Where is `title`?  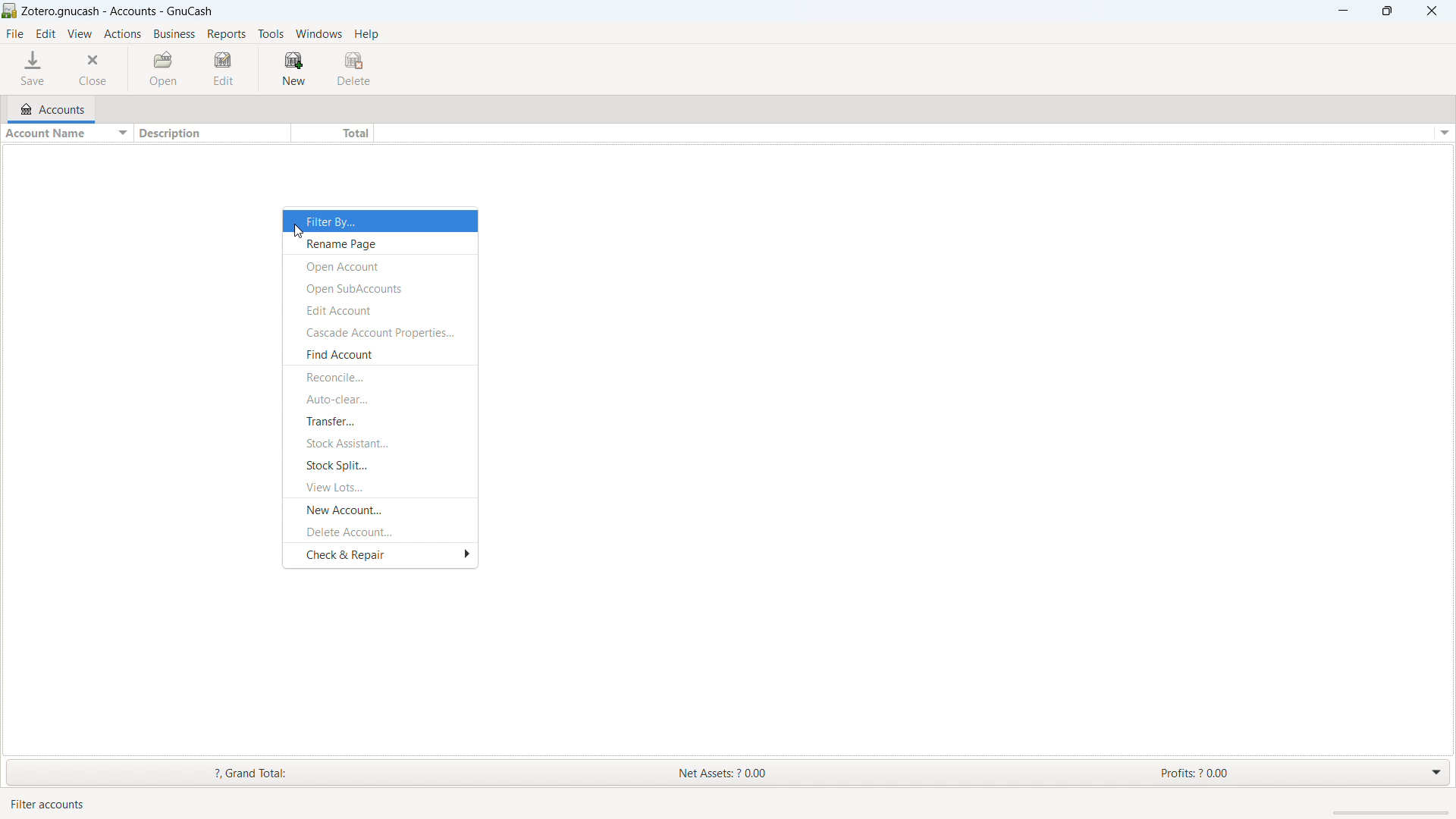
title is located at coordinates (118, 11).